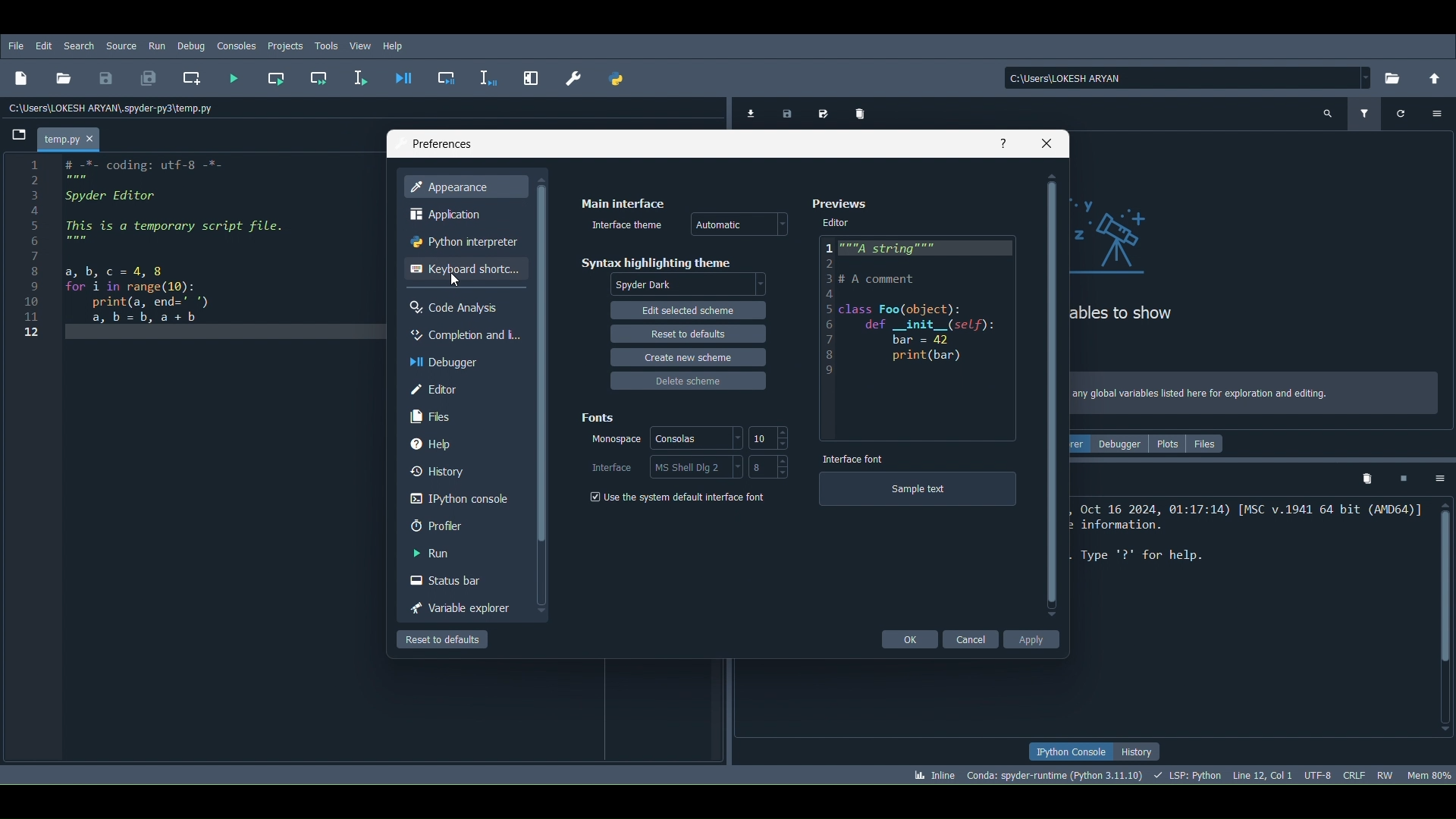 This screenshot has width=1456, height=819. What do you see at coordinates (404, 74) in the screenshot?
I see `Debug file (Ctrl + F5)` at bounding box center [404, 74].